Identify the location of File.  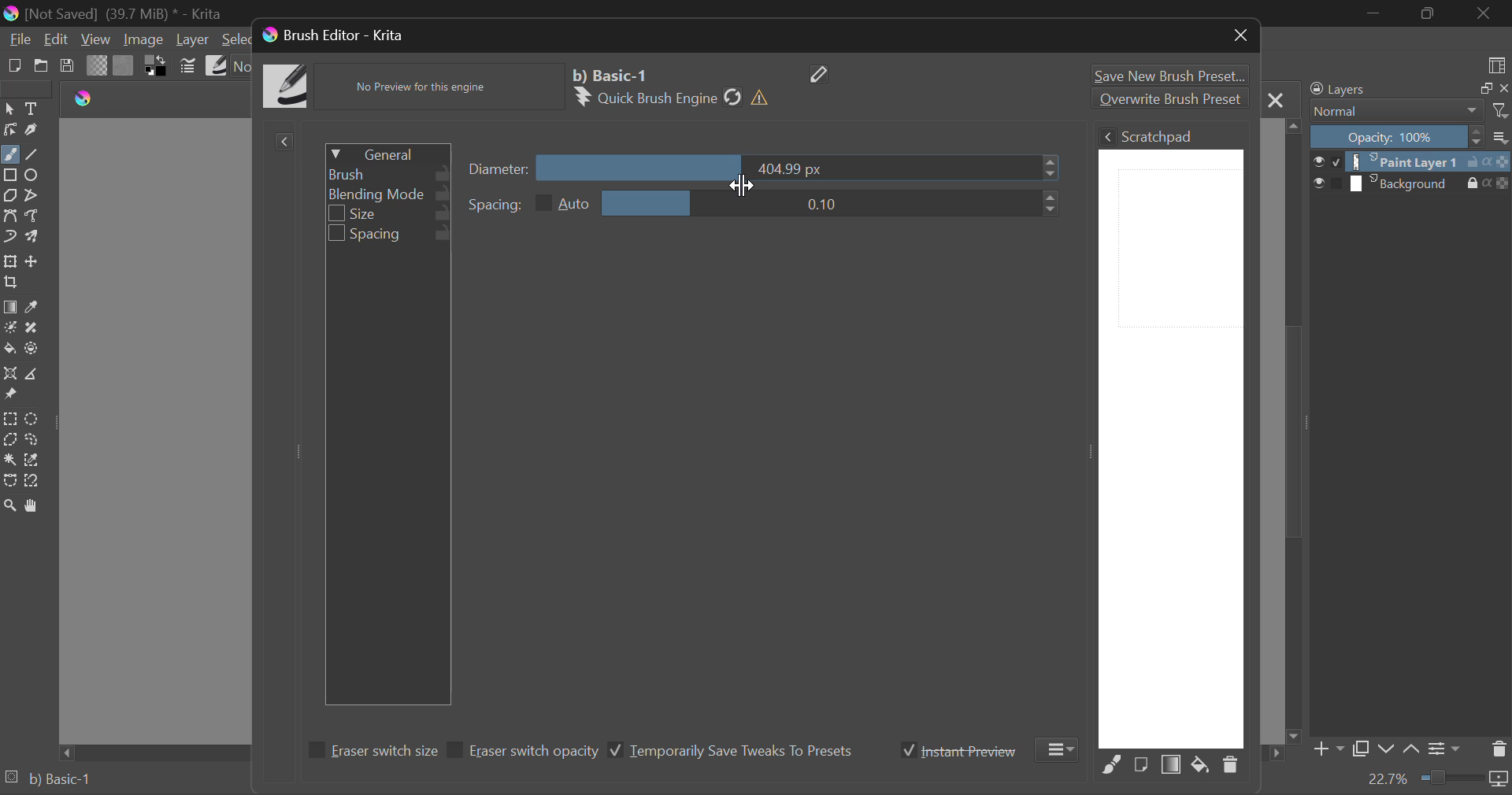
(19, 39).